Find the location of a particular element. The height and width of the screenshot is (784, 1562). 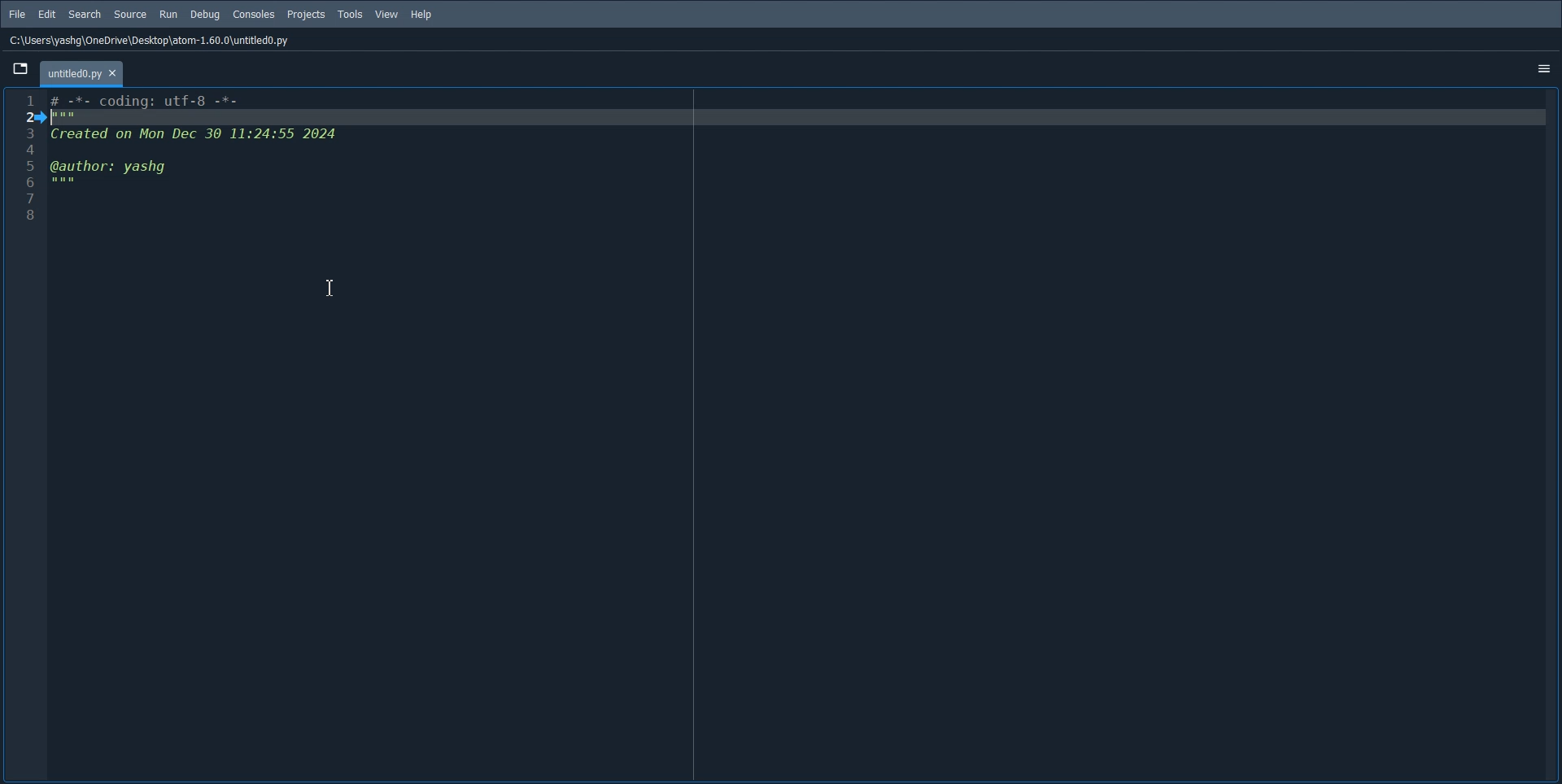

Debug is located at coordinates (204, 15).